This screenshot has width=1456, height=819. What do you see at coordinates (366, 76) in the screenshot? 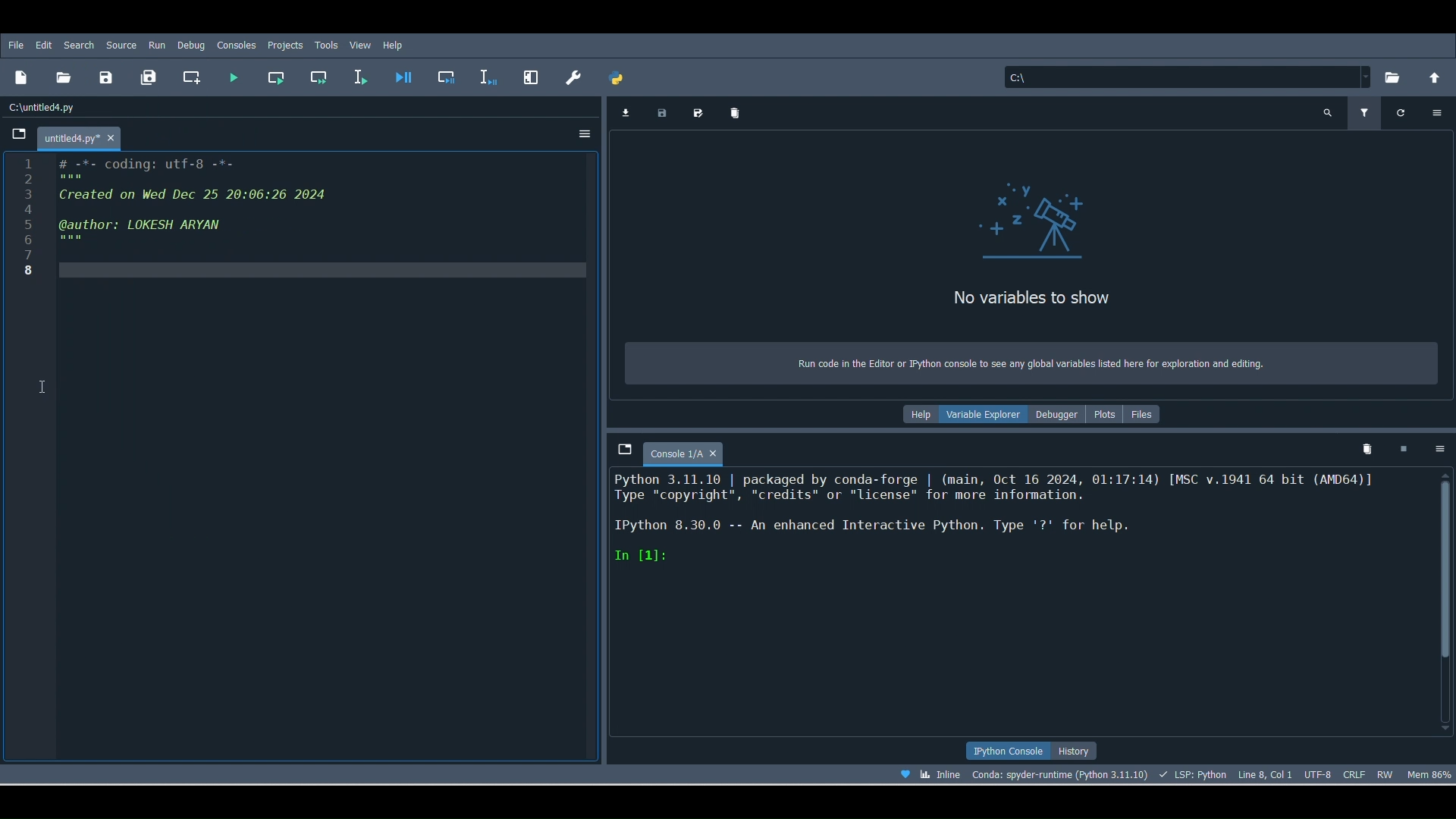
I see `Run selection or current line (F9)` at bounding box center [366, 76].